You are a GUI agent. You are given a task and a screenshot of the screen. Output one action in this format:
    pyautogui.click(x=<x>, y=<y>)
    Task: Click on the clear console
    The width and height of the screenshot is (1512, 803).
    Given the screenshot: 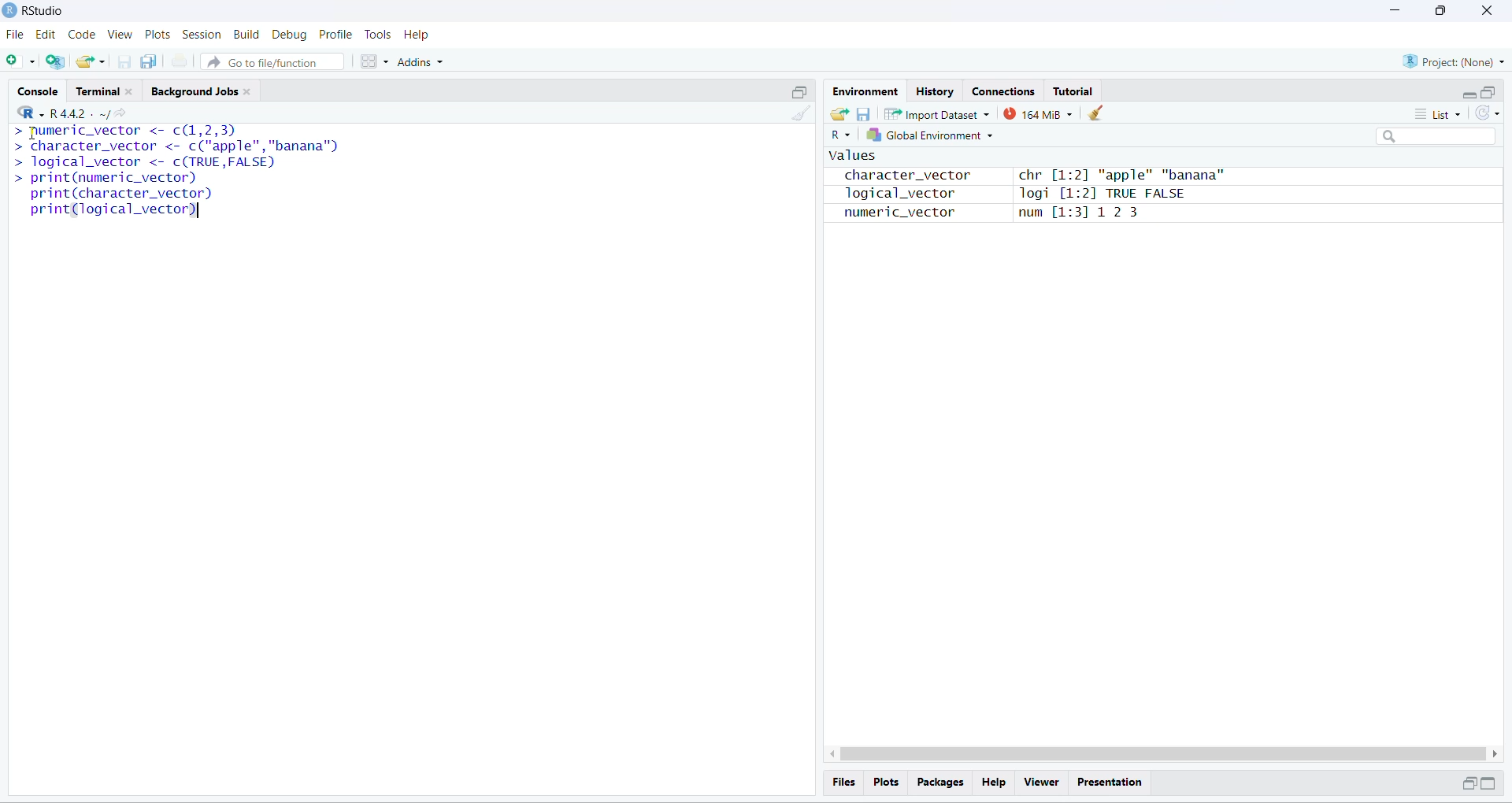 What is the action you would take?
    pyautogui.click(x=804, y=114)
    